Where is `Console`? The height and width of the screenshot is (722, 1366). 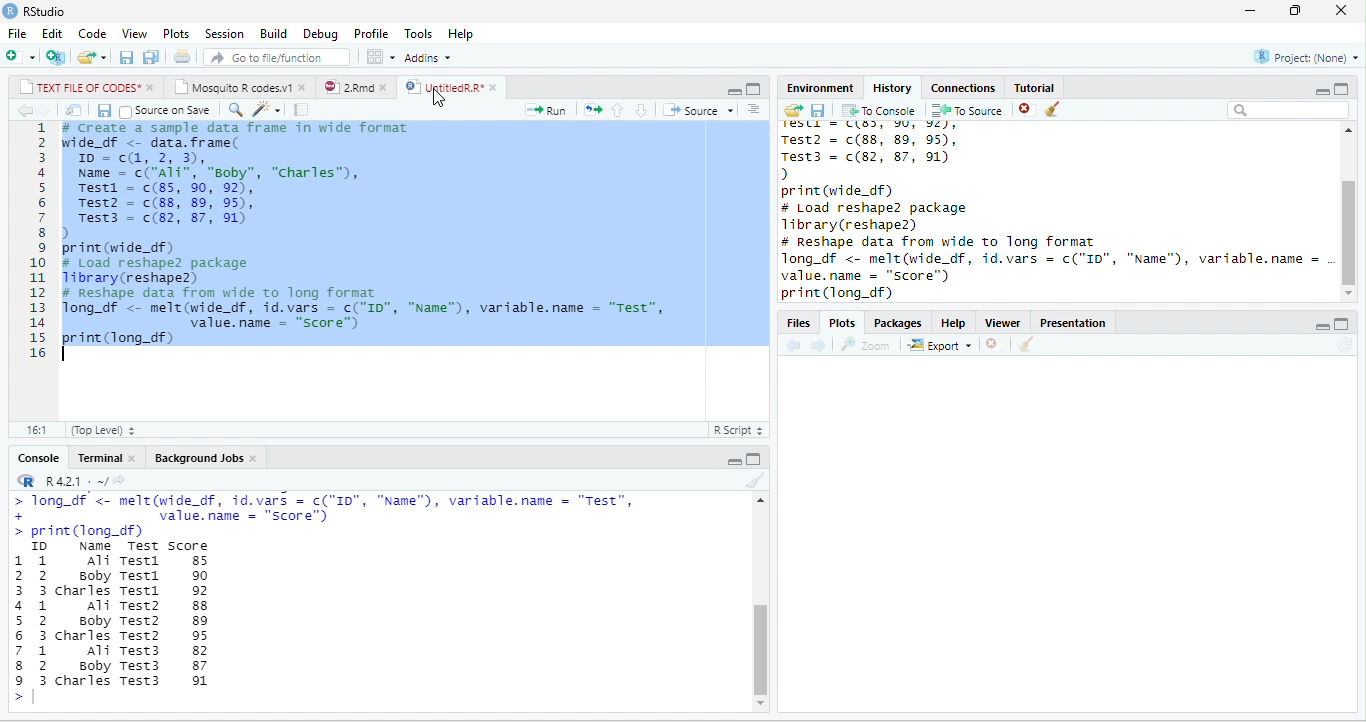 Console is located at coordinates (38, 457).